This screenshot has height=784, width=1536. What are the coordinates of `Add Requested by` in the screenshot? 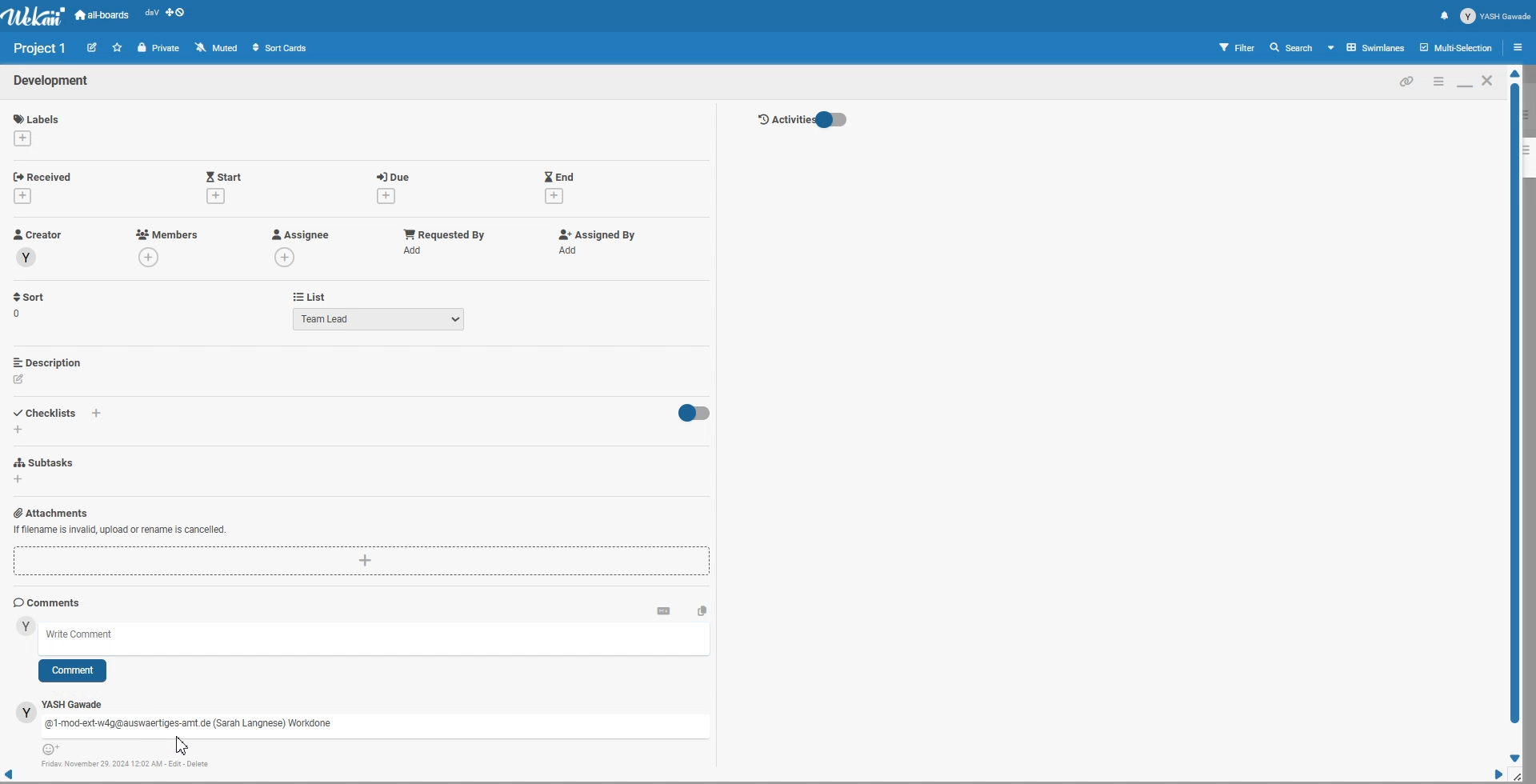 It's located at (445, 233).